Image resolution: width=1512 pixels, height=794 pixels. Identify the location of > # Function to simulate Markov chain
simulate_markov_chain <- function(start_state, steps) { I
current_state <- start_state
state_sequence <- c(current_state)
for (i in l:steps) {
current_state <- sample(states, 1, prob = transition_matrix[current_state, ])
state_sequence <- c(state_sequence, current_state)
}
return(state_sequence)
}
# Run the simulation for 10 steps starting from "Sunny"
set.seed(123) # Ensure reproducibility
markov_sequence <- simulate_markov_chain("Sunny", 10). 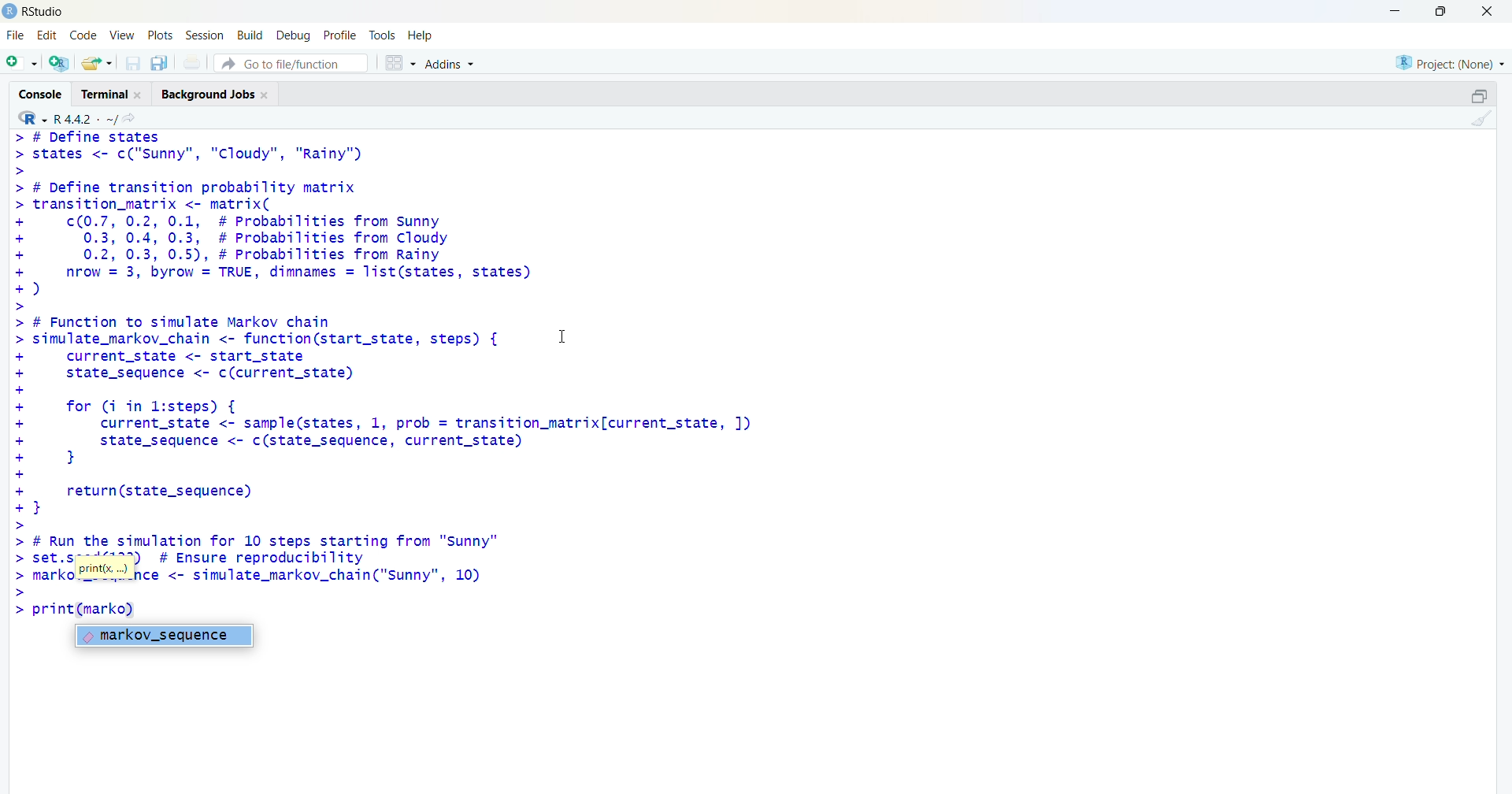
(424, 455).